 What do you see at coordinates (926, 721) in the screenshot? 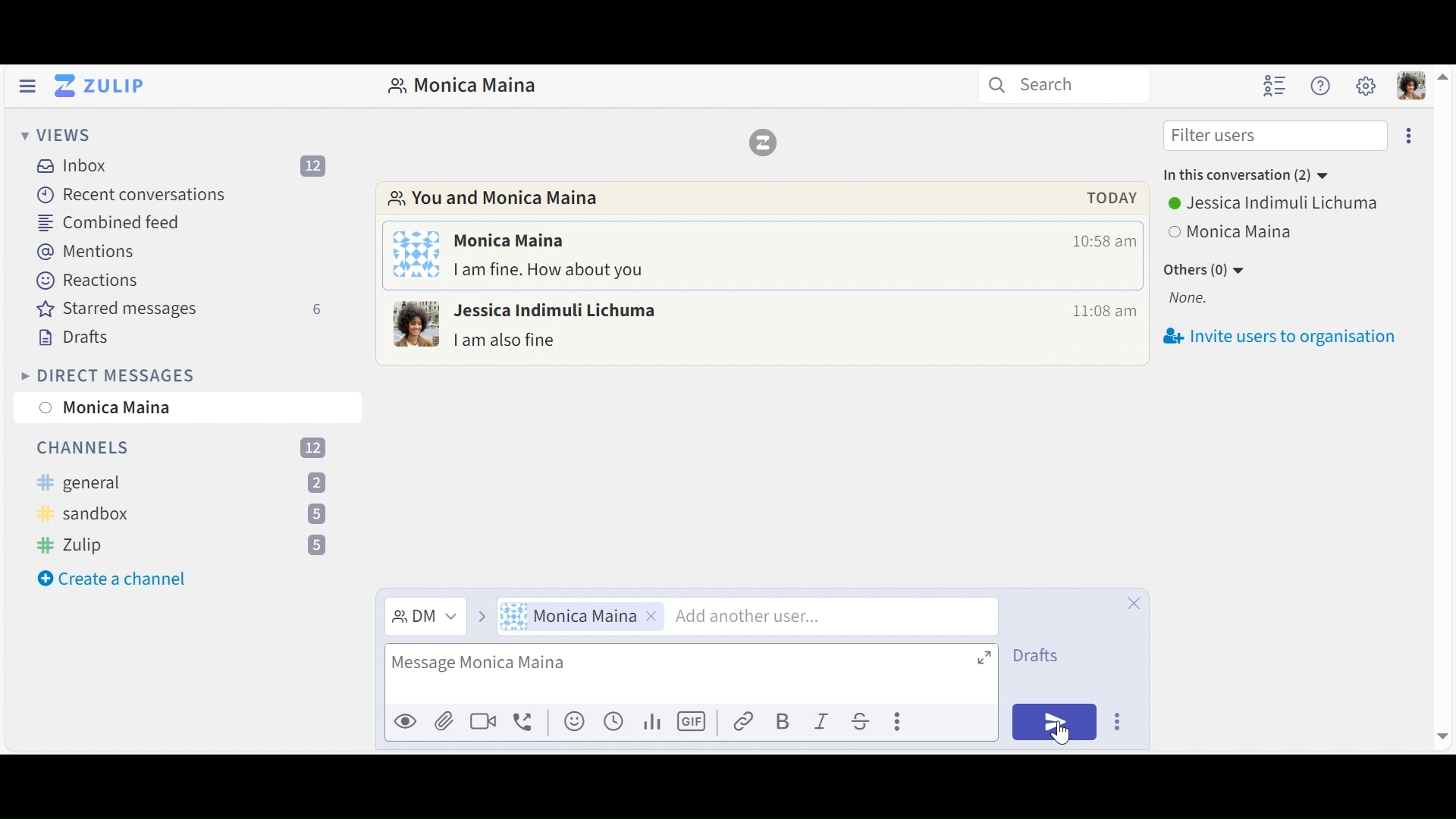
I see `compose actions` at bounding box center [926, 721].